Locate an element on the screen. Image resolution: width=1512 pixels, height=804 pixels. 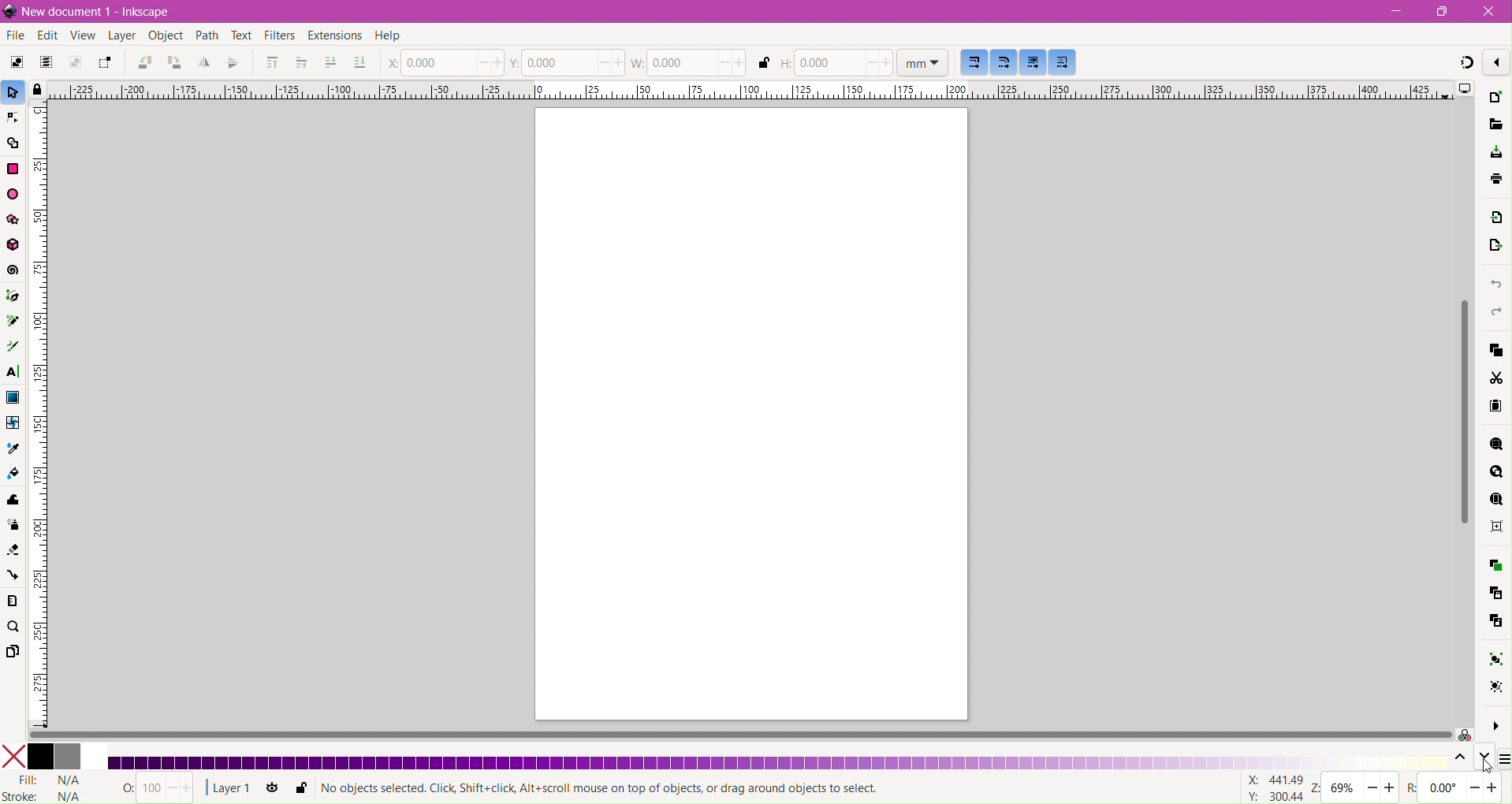
Updated Color Palette - Shades of Royal  is located at coordinates (777, 761).